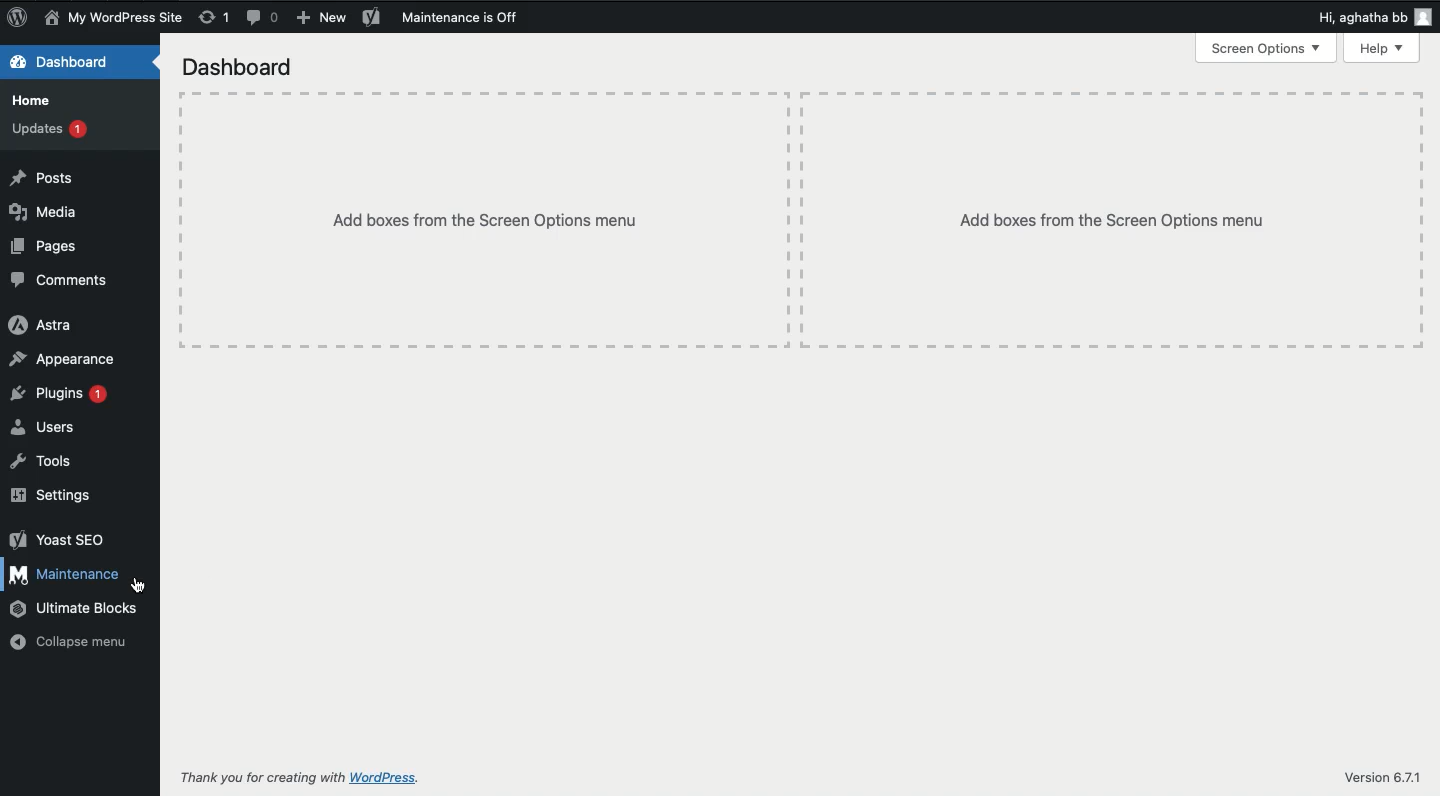 Image resolution: width=1440 pixels, height=796 pixels. I want to click on Thank you for creating with, so click(262, 779).